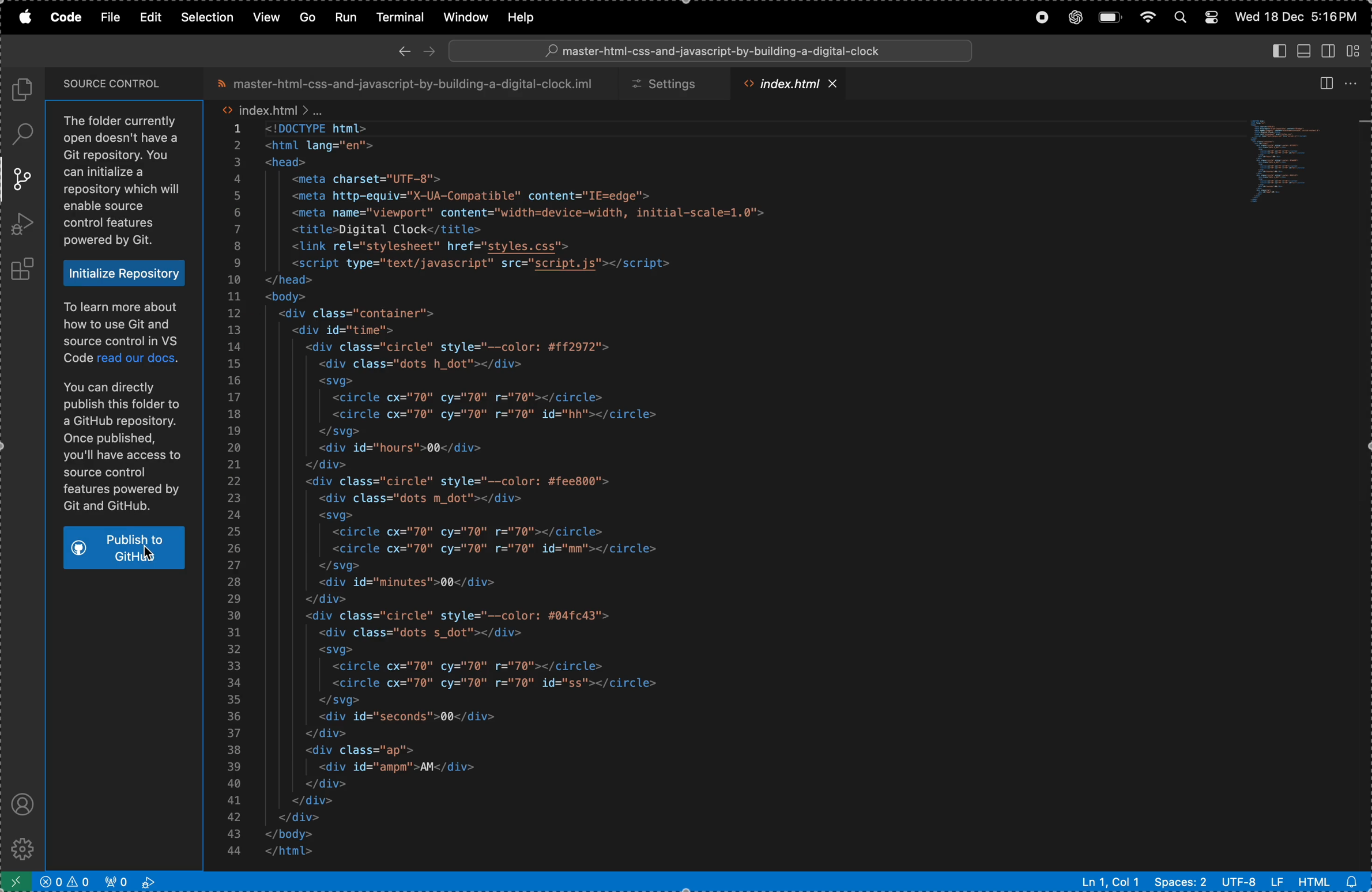 This screenshot has height=892, width=1372. Describe the element at coordinates (1145, 18) in the screenshot. I see `wifi` at that location.